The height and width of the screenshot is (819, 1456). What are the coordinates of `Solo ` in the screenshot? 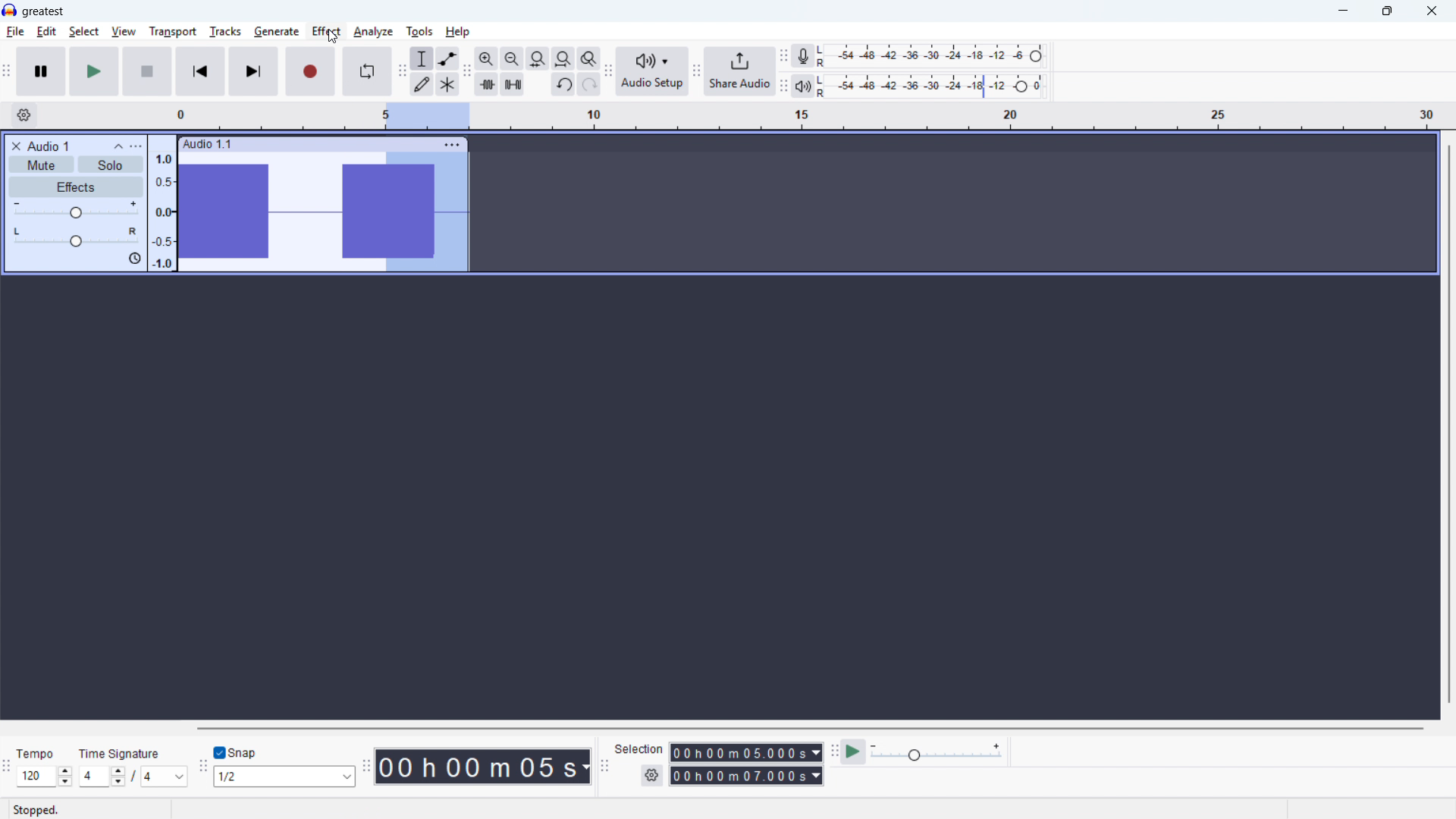 It's located at (111, 165).